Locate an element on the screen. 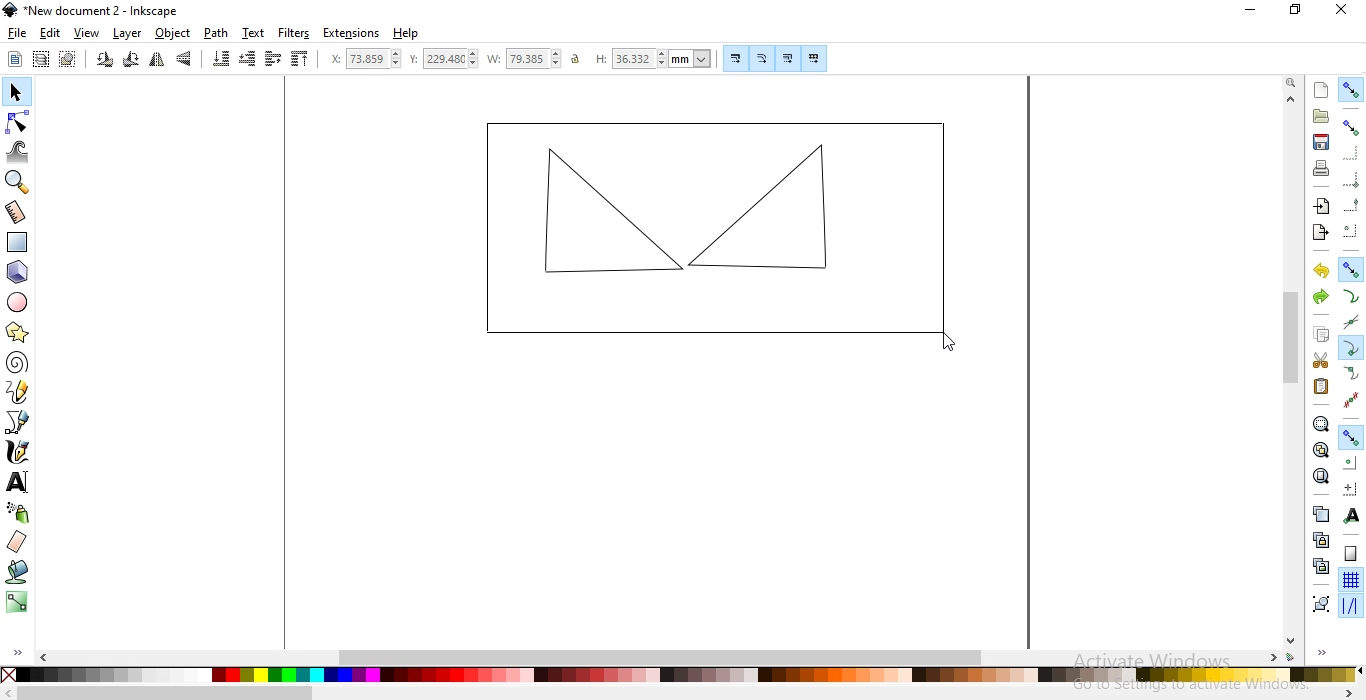 This screenshot has height=700, width=1366. draw calligraphic or brush strokes is located at coordinates (18, 454).